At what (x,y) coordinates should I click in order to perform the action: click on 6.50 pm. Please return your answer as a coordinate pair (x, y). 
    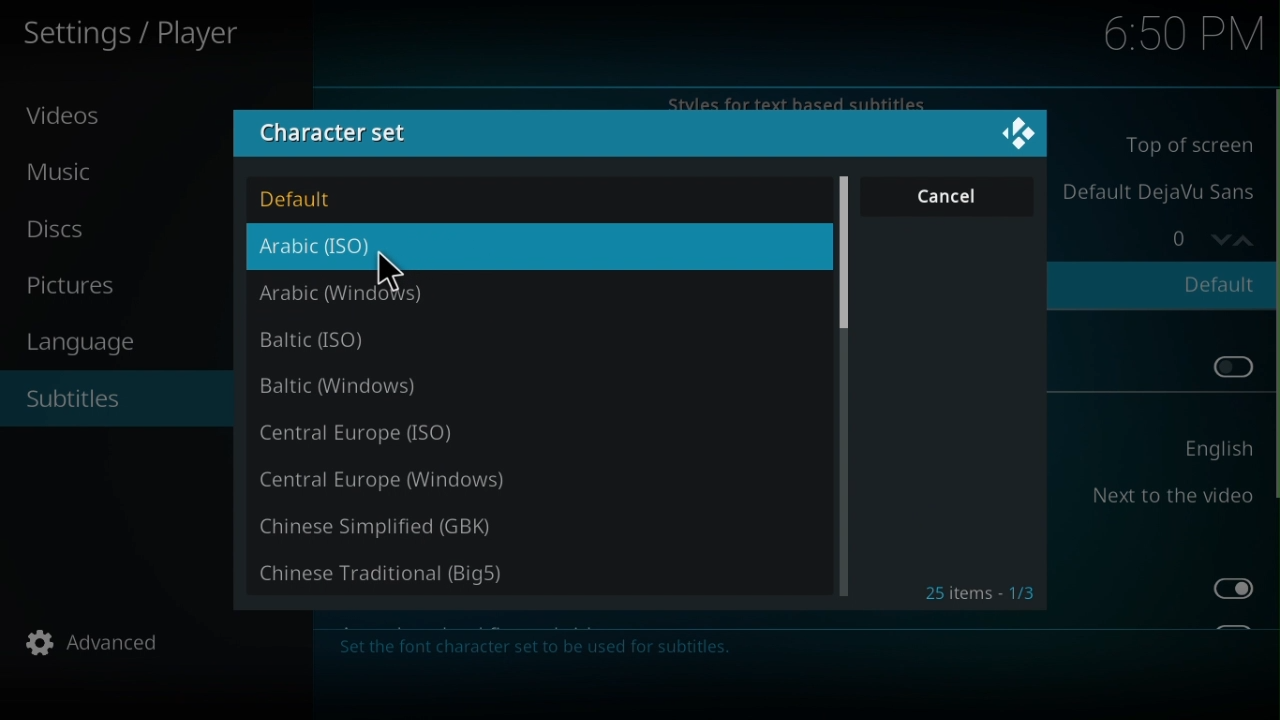
    Looking at the image, I should click on (1174, 31).